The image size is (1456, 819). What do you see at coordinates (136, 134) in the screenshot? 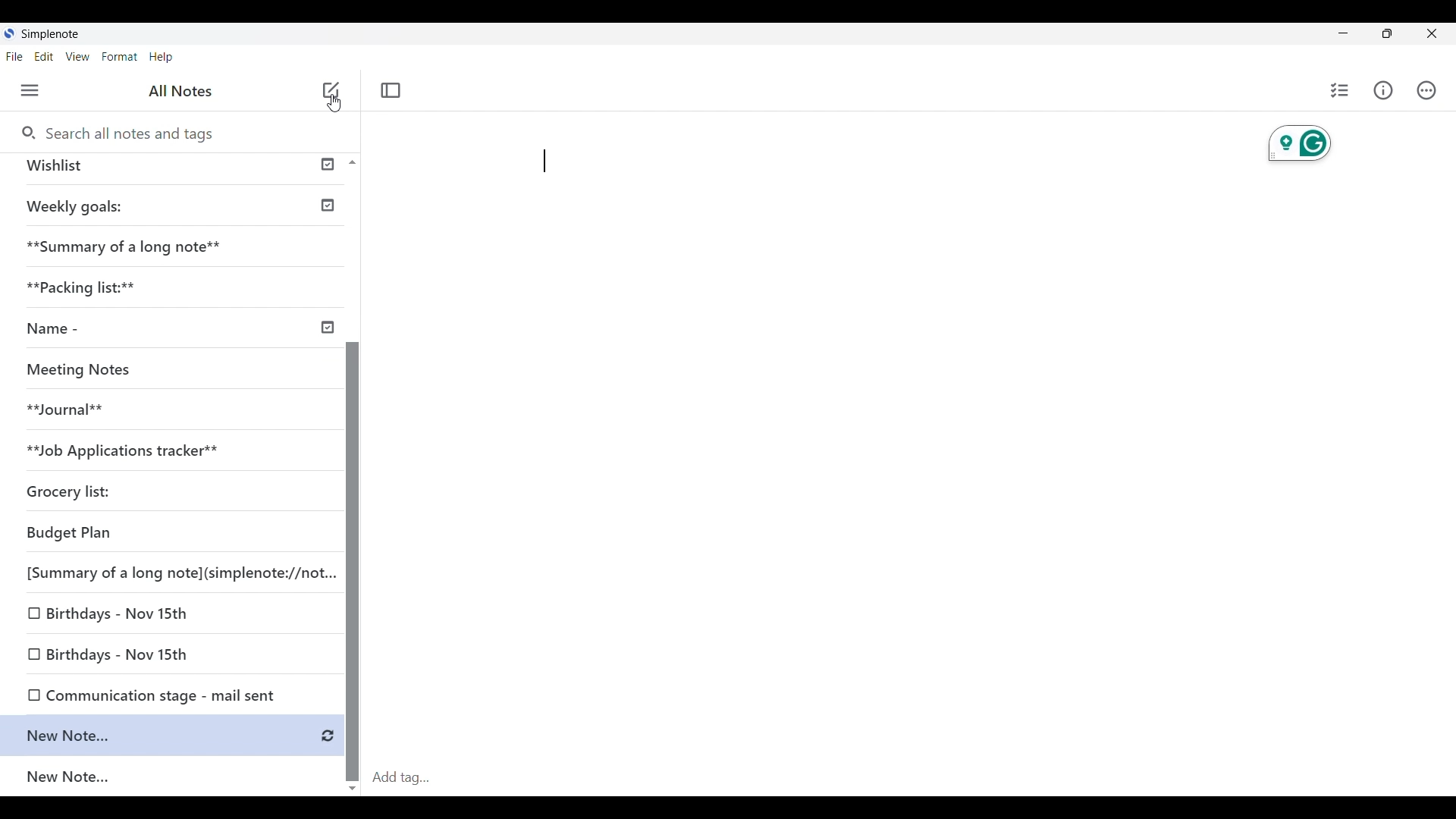
I see `Search notes` at bounding box center [136, 134].